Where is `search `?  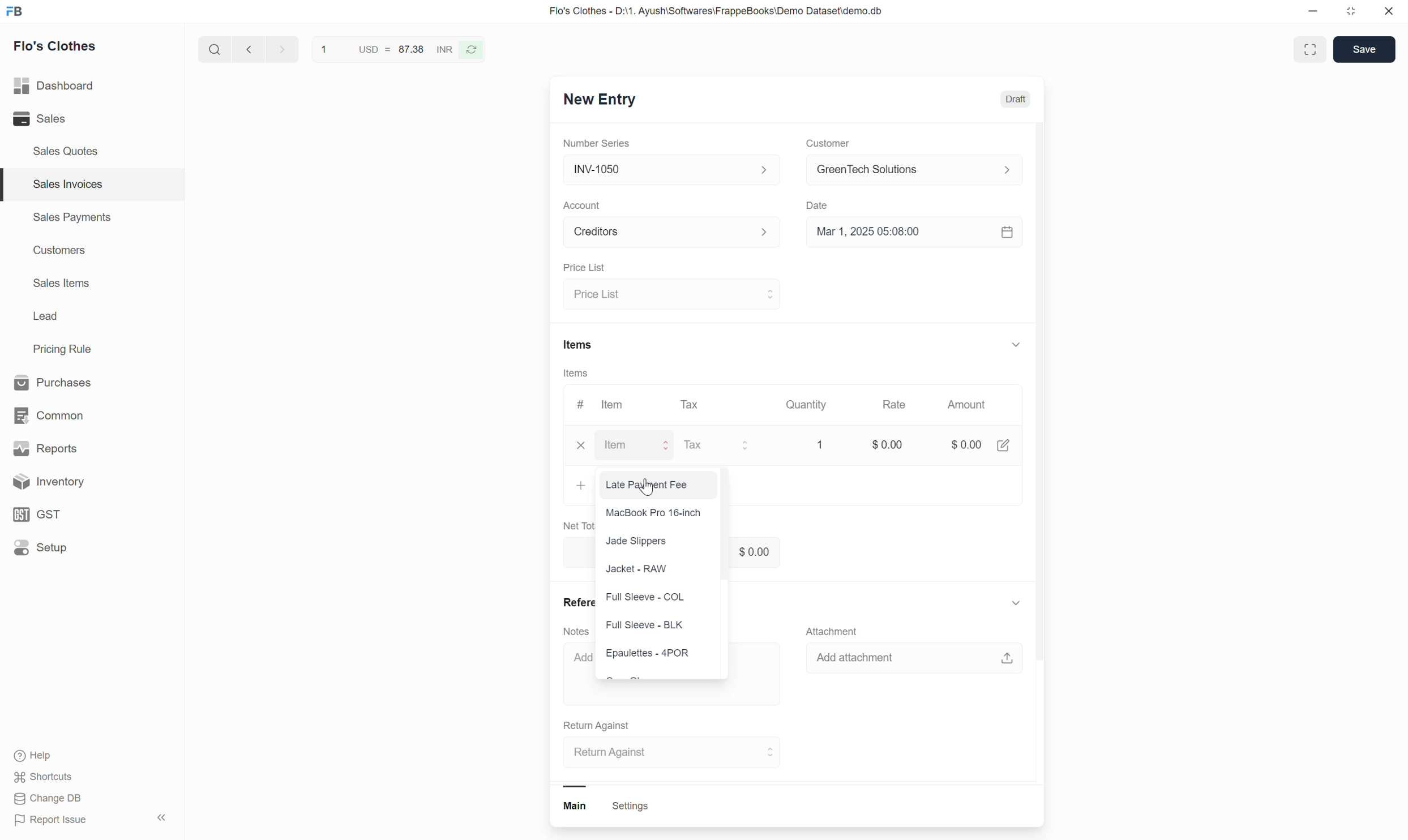
search  is located at coordinates (212, 52).